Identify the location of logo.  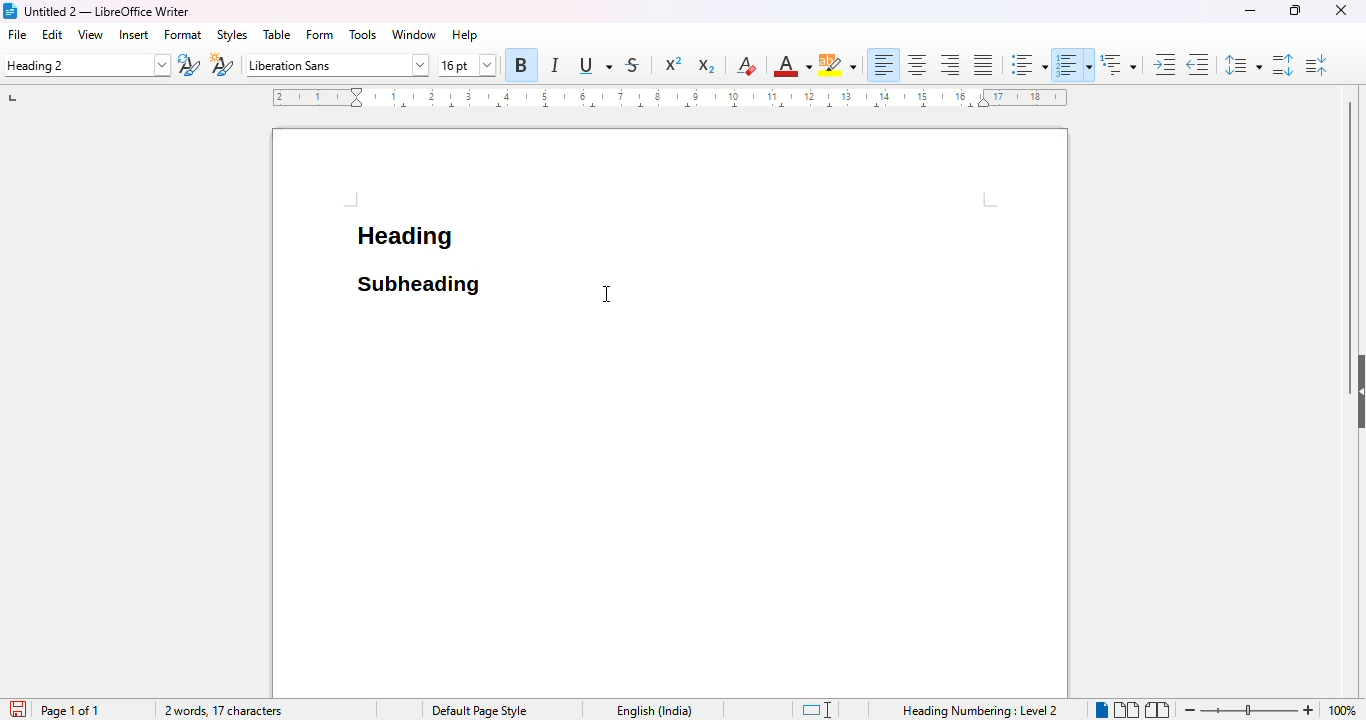
(11, 11).